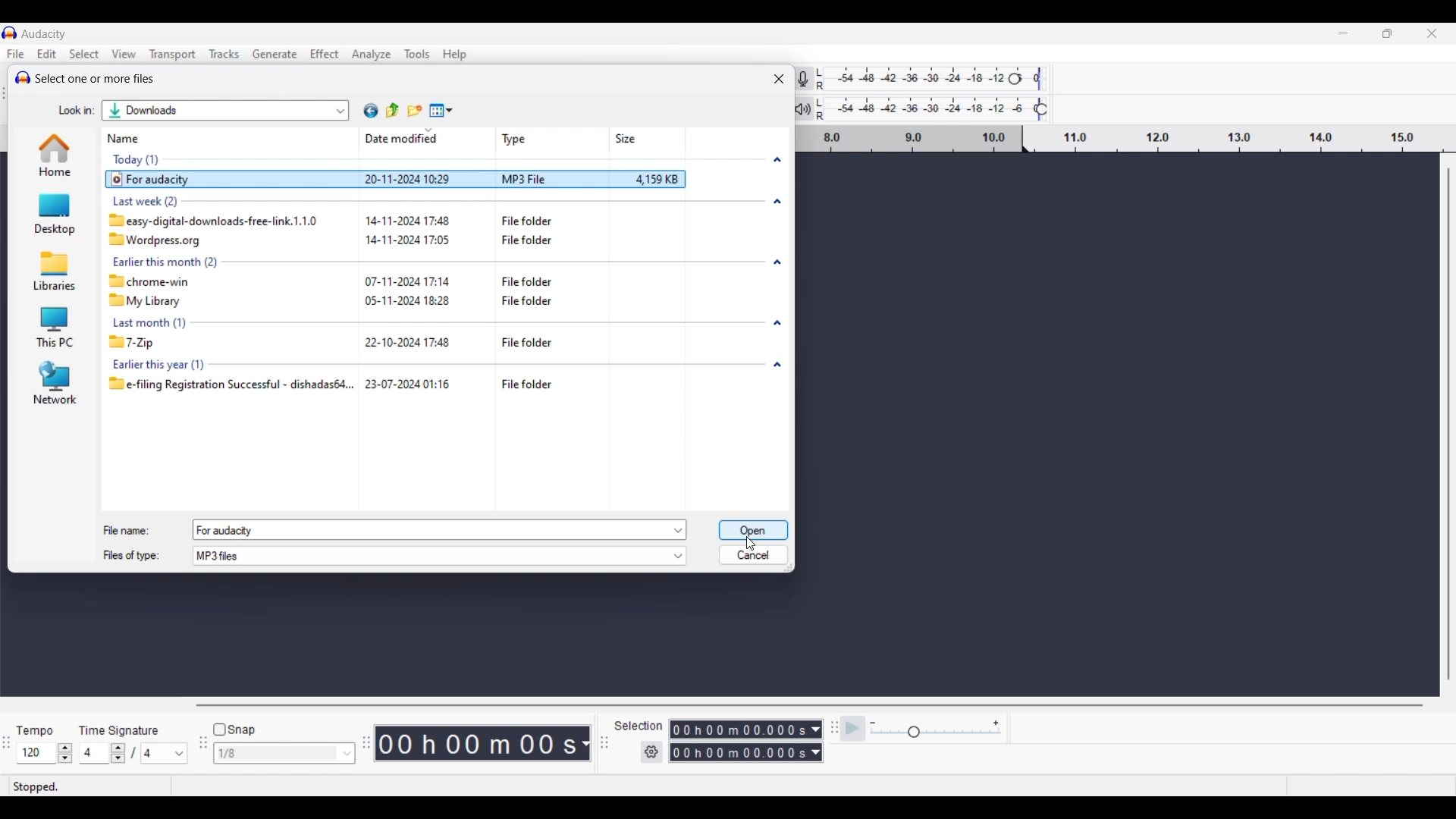 The image size is (1456, 819). I want to click on Tracks menu, so click(225, 54).